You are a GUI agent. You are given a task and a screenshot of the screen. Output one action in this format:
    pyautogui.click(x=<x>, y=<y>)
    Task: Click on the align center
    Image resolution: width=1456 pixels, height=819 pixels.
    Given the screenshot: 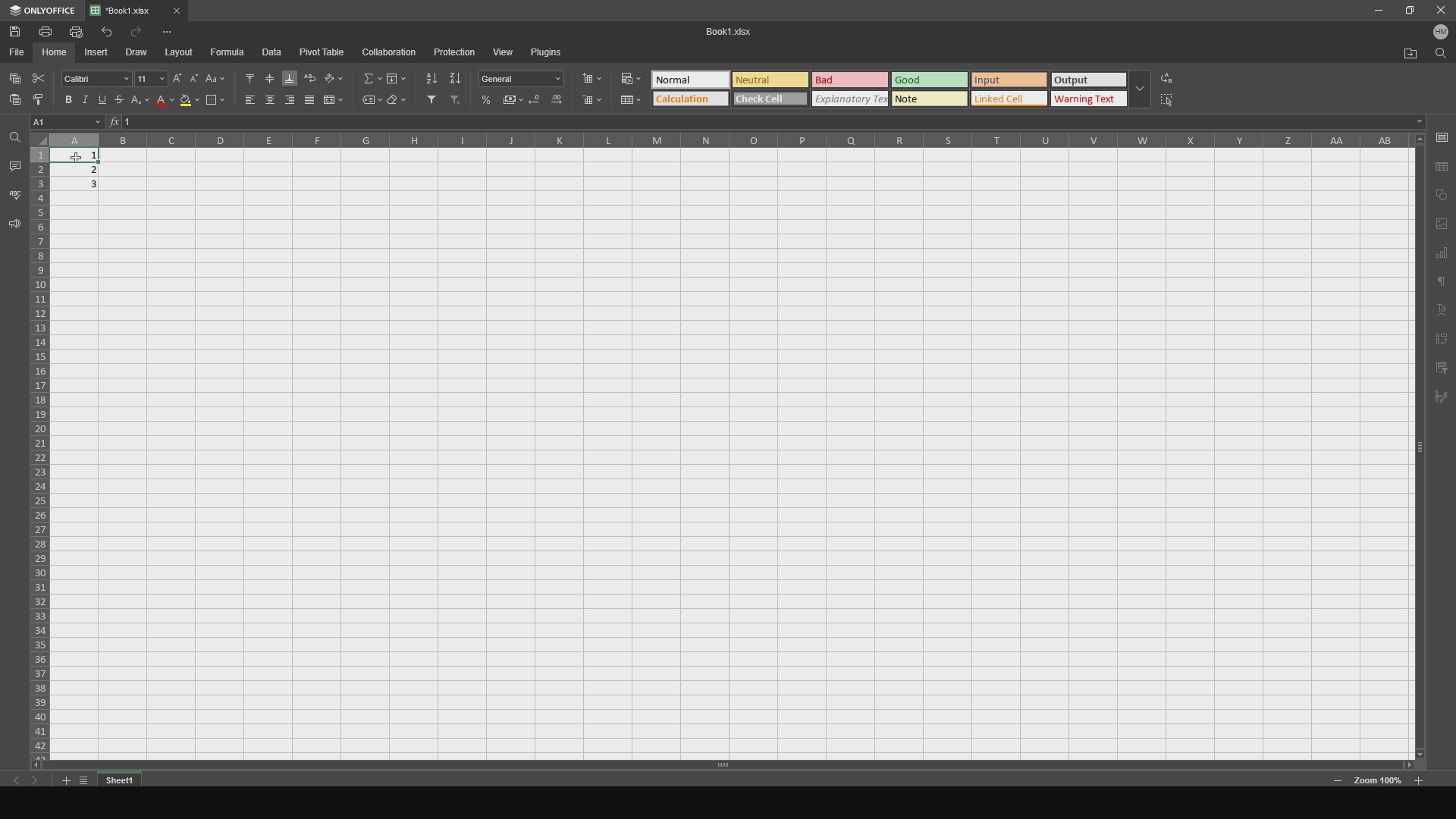 What is the action you would take?
    pyautogui.click(x=268, y=102)
    